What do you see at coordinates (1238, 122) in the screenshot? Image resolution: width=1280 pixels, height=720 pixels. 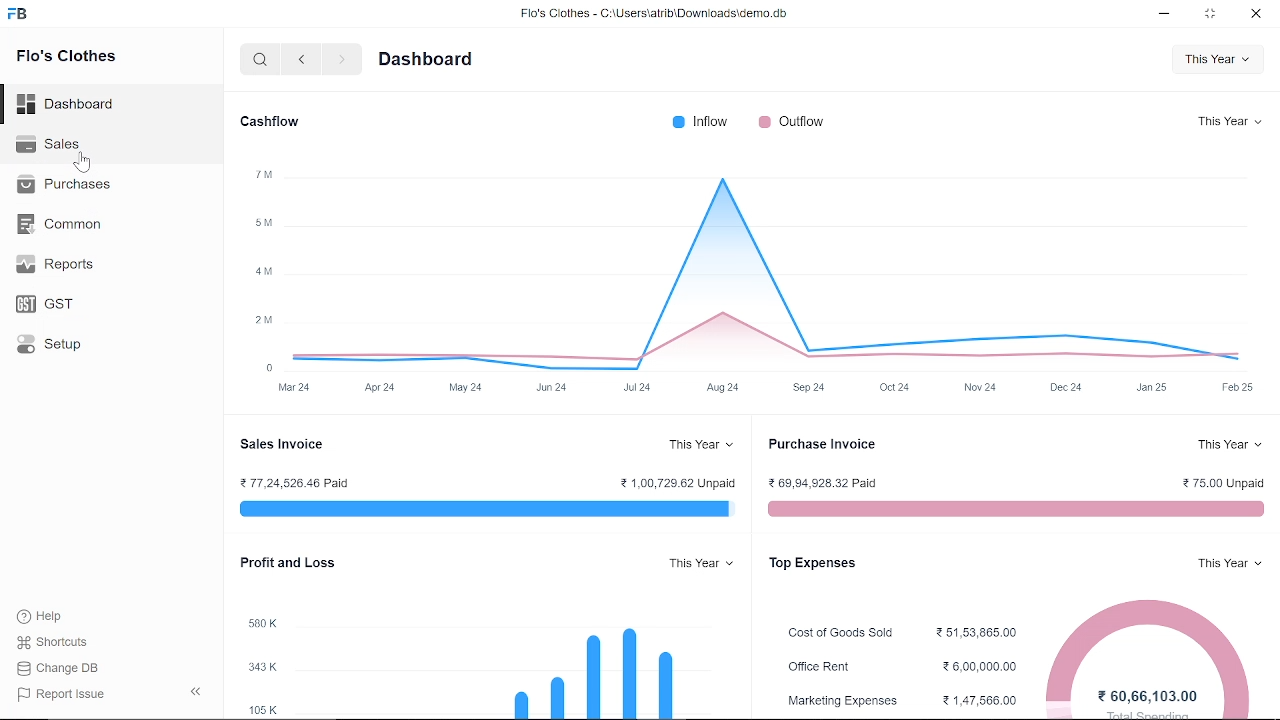 I see `This Year` at bounding box center [1238, 122].